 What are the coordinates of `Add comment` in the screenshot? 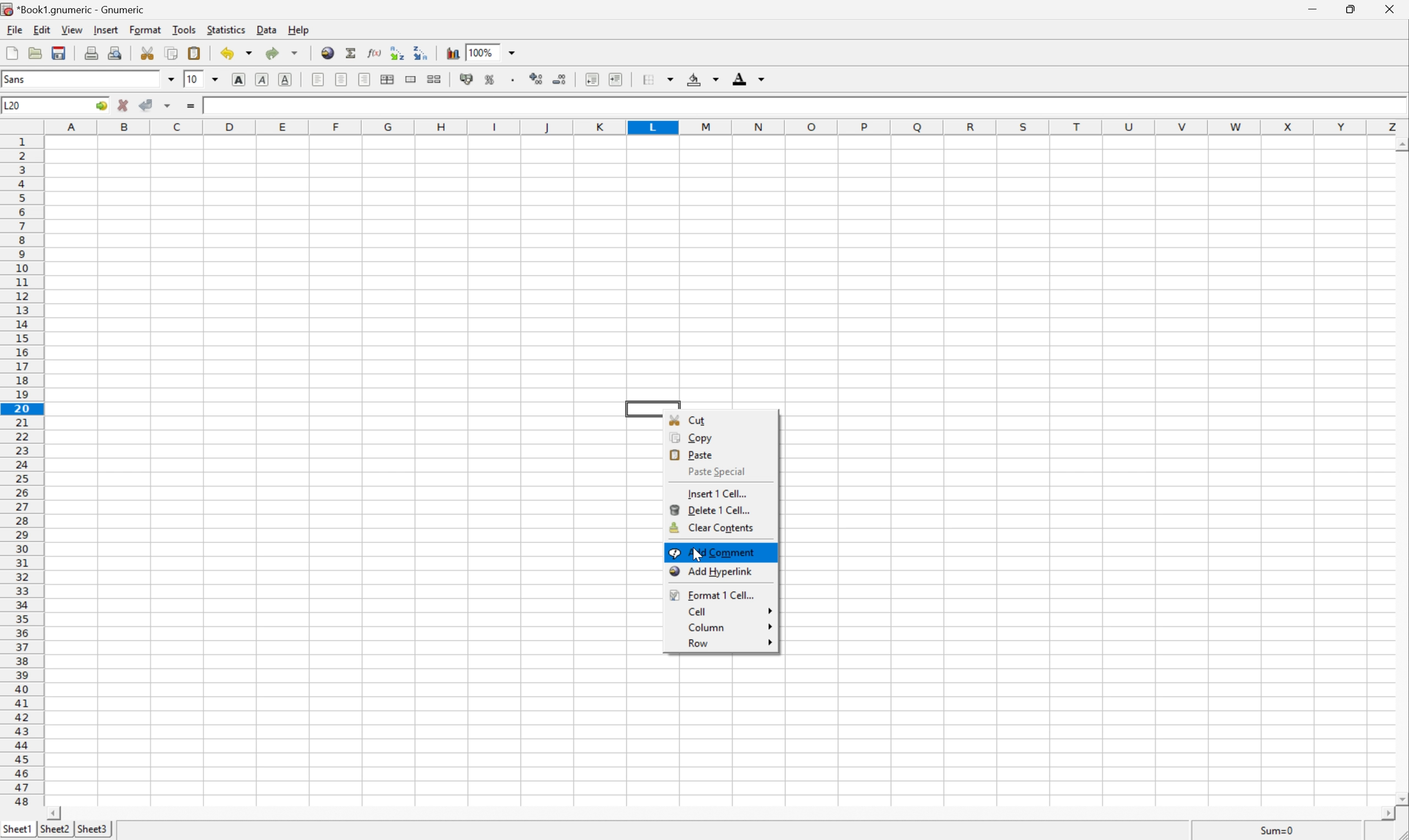 It's located at (714, 552).